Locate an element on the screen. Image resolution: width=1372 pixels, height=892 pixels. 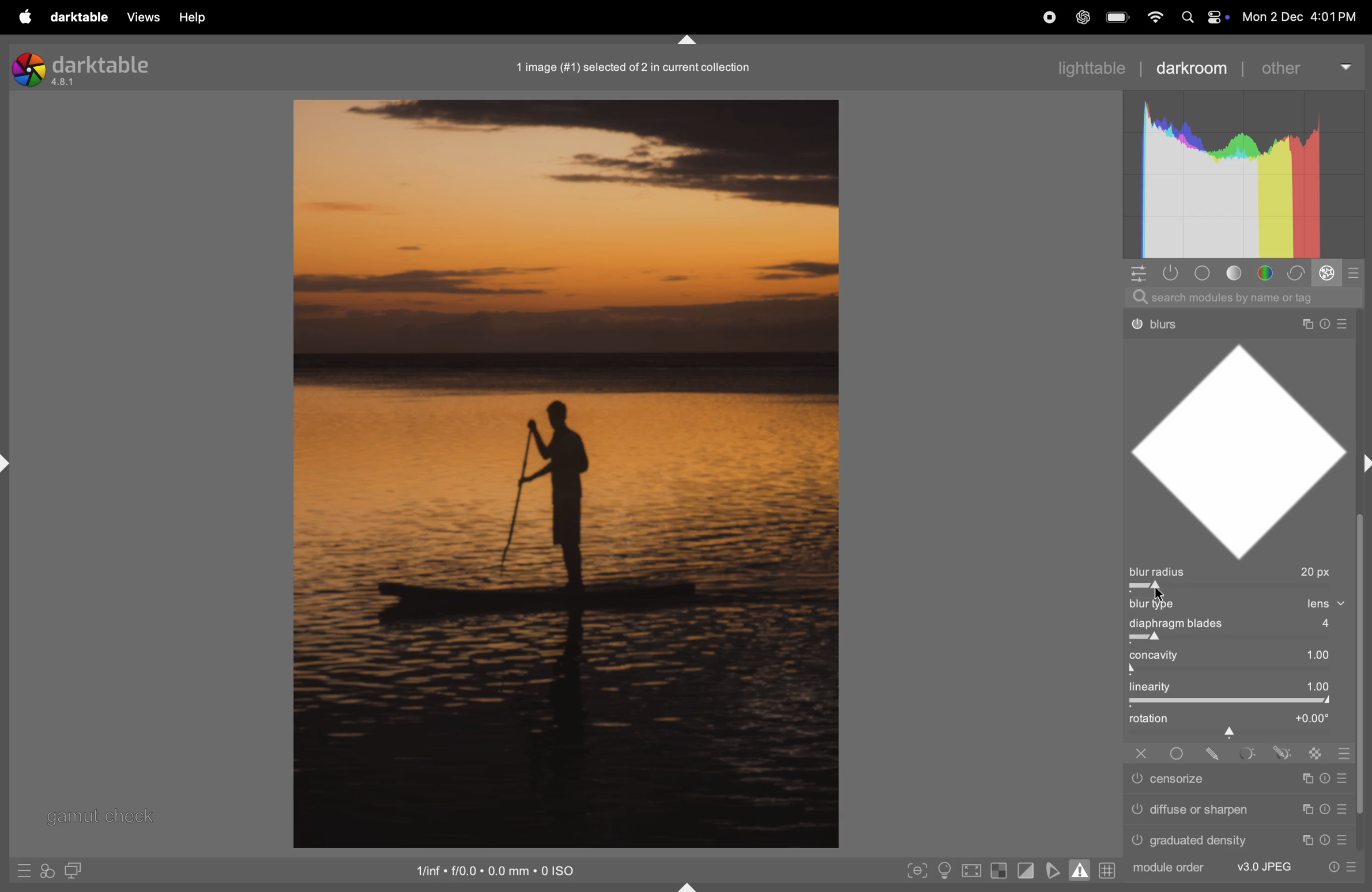
cursor is located at coordinates (1163, 590).